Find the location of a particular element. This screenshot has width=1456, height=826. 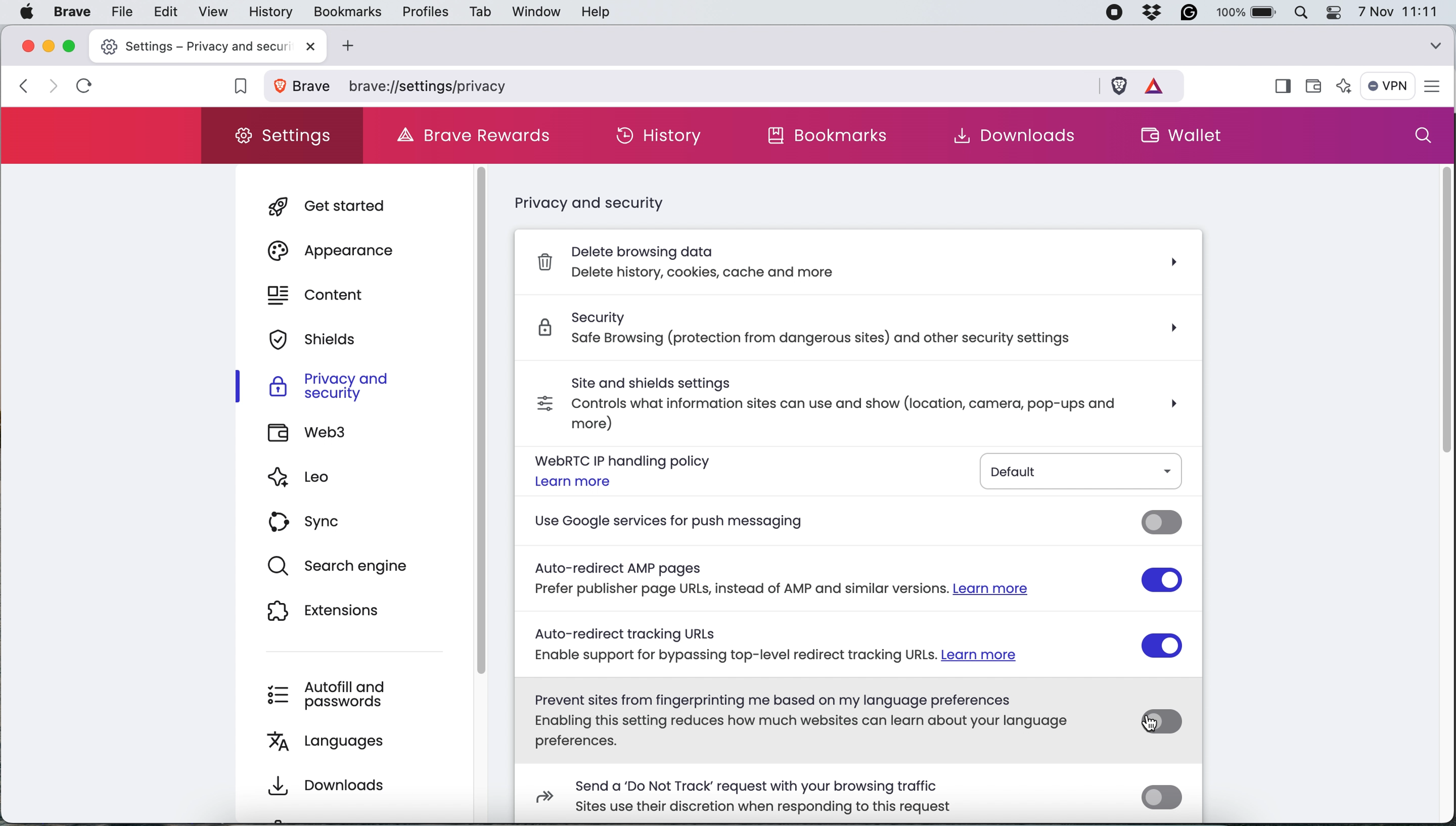

search is located at coordinates (1423, 136).